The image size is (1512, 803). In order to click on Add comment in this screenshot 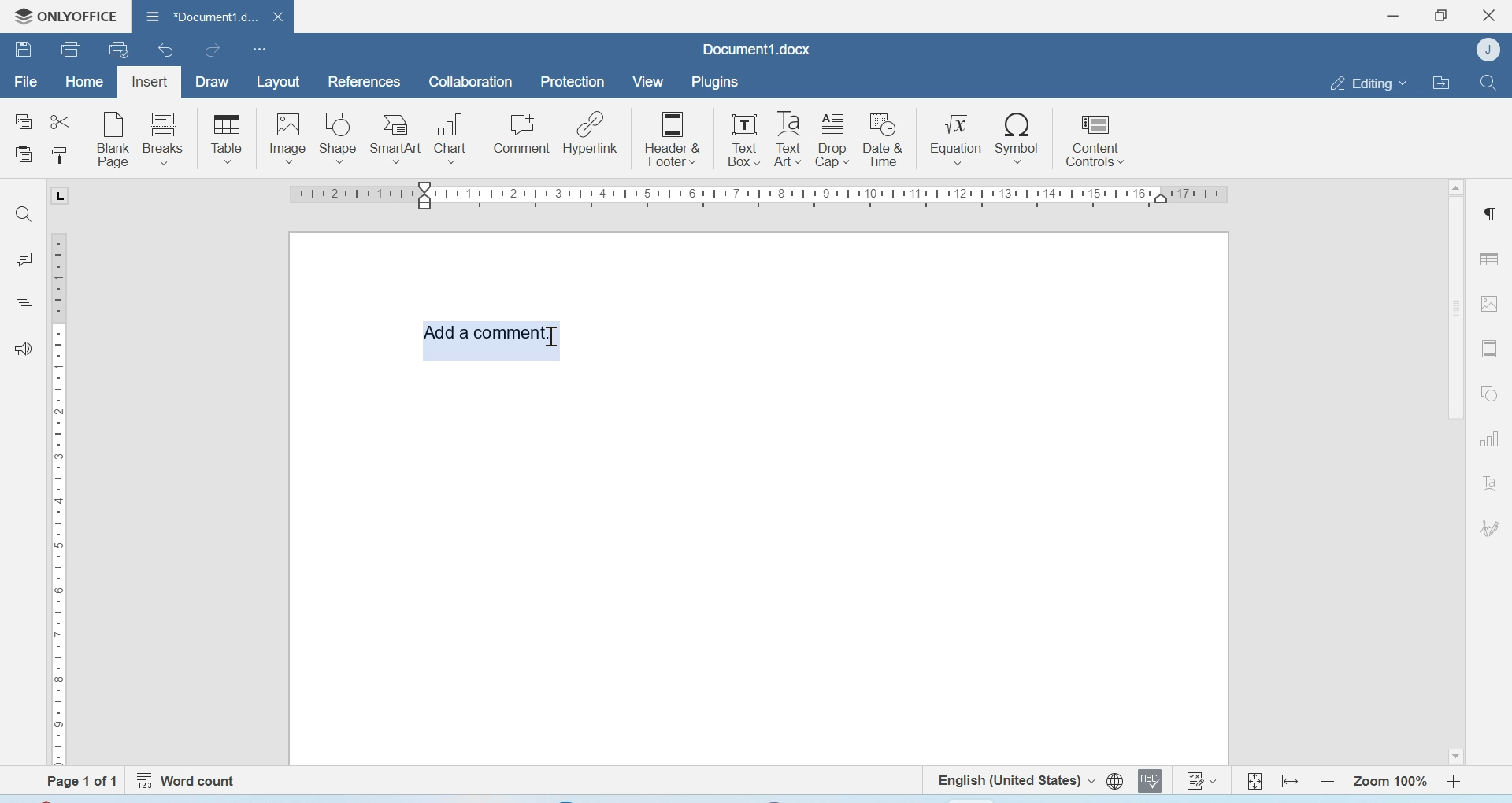, I will do `click(489, 331)`.